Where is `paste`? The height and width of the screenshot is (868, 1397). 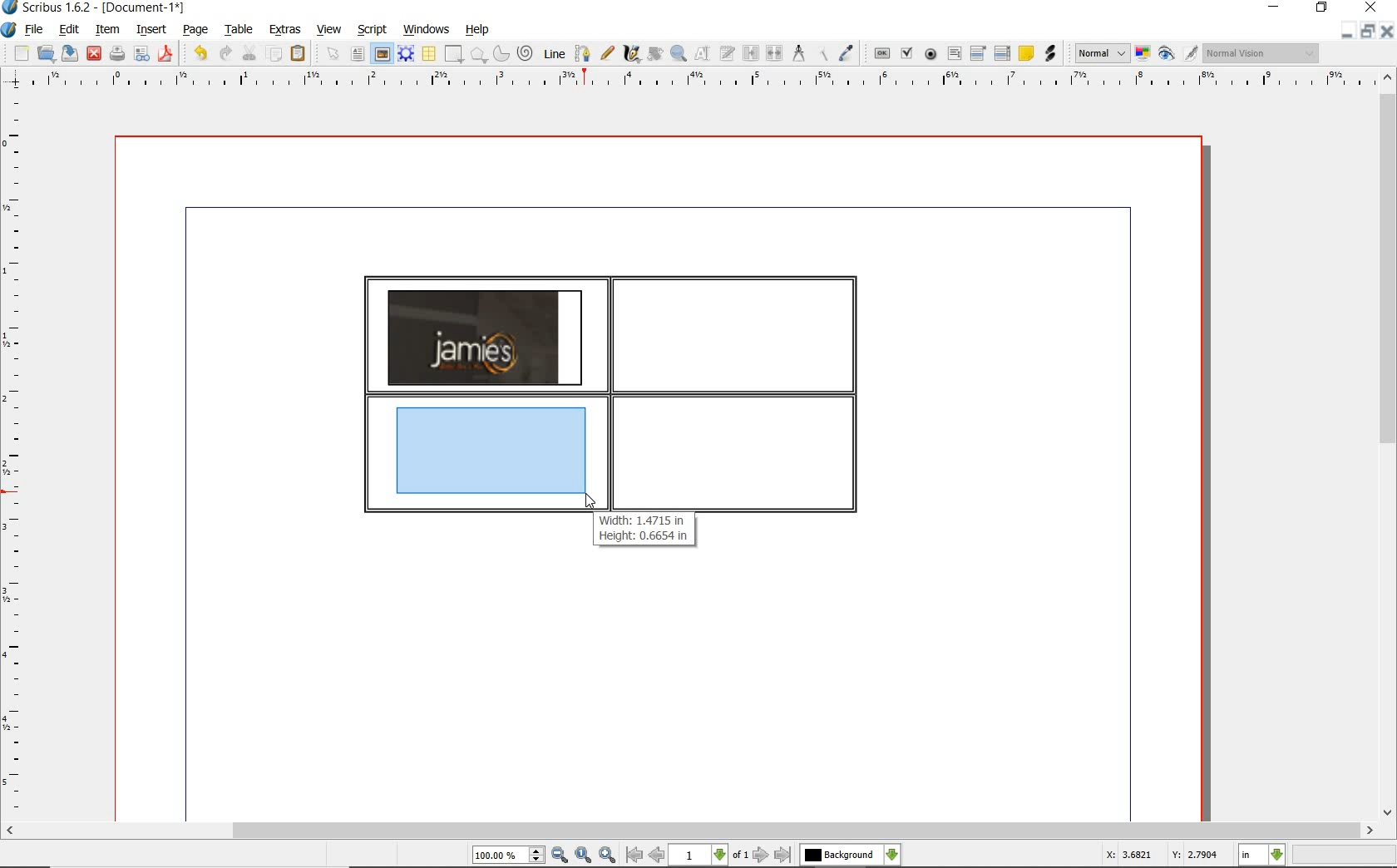
paste is located at coordinates (298, 53).